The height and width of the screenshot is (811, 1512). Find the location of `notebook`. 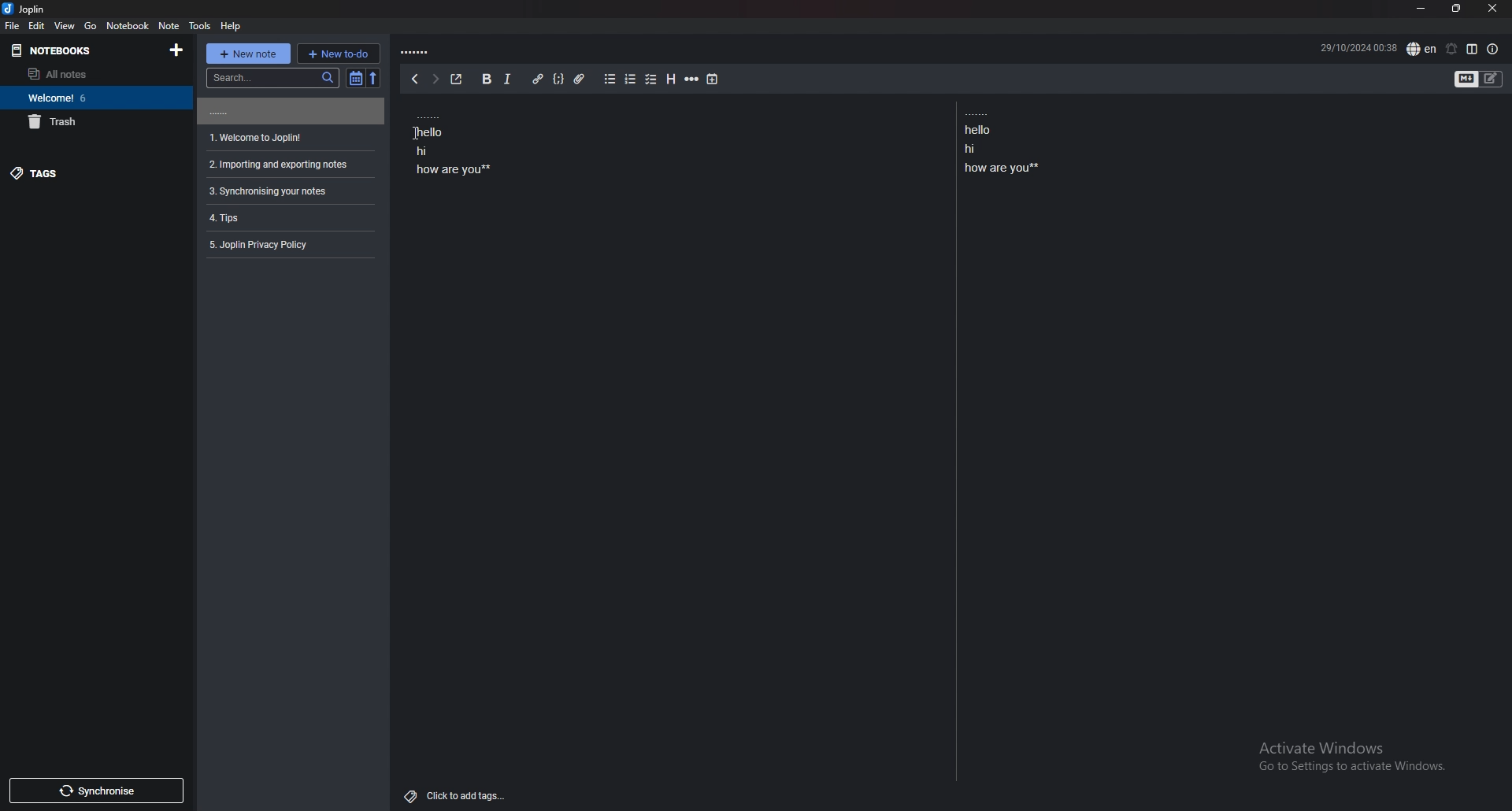

notebook is located at coordinates (129, 25).